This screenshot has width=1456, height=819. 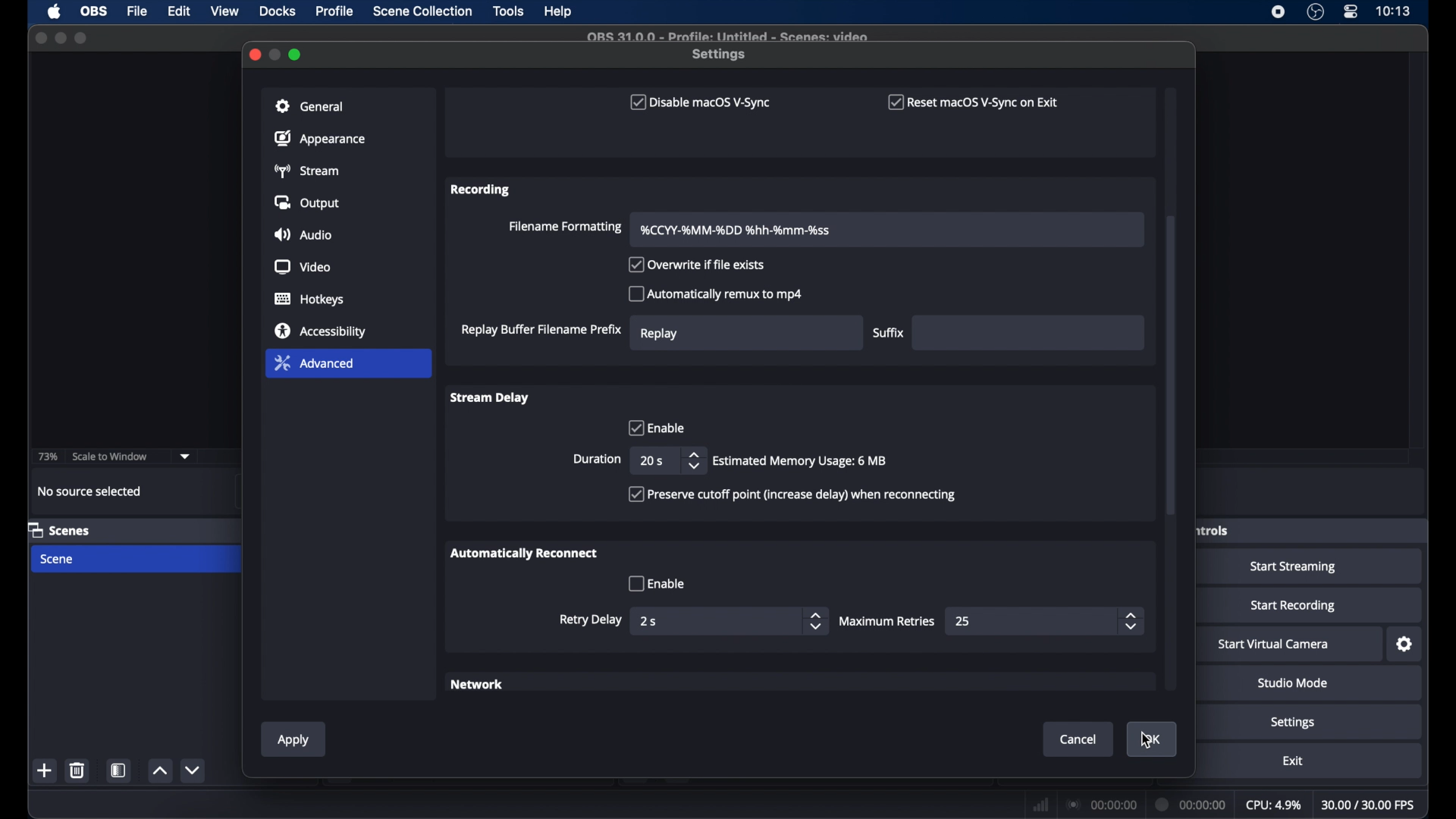 I want to click on close, so click(x=254, y=53).